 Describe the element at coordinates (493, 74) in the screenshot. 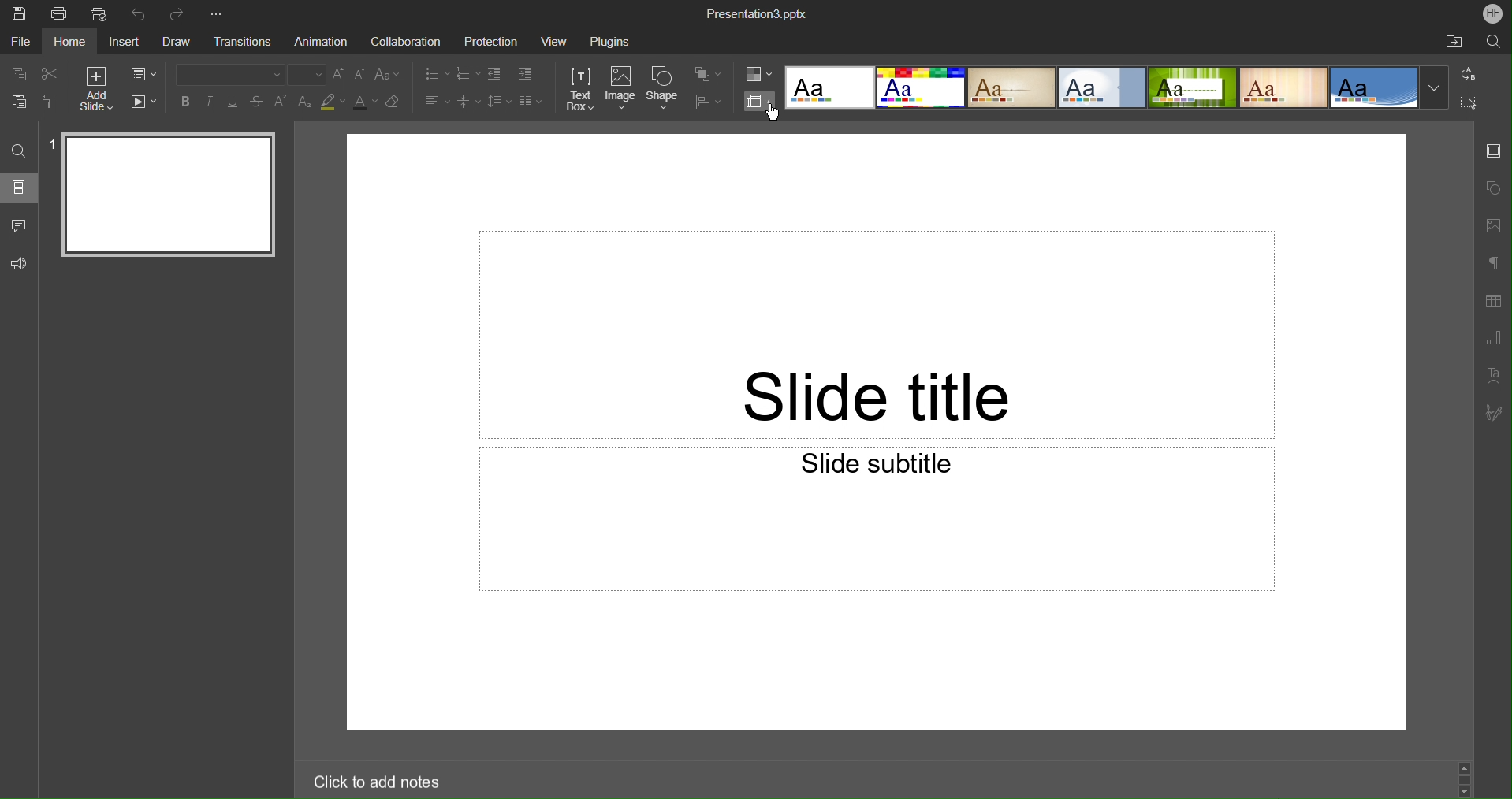

I see `Decrease indent` at that location.